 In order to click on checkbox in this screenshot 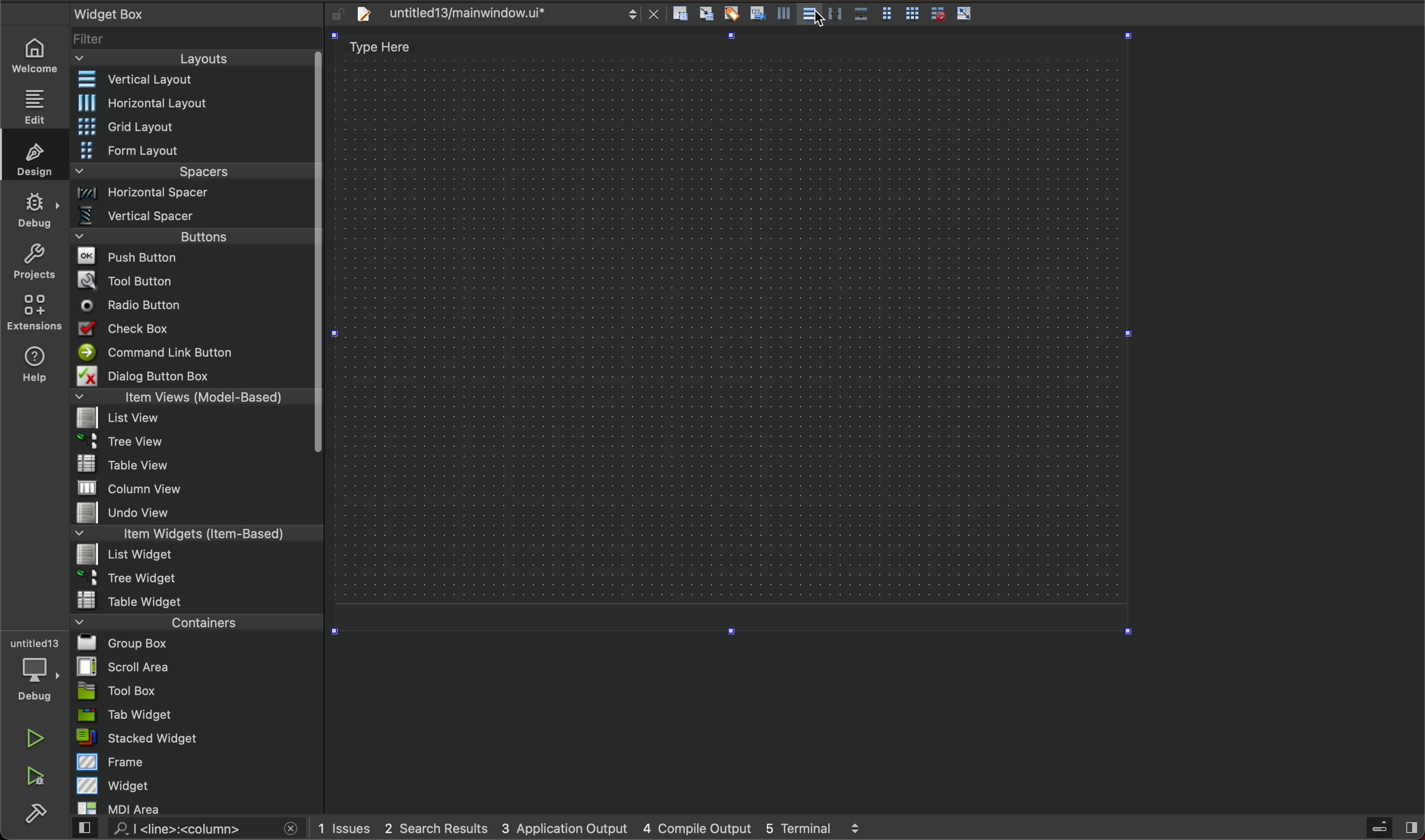, I will do `click(195, 329)`.